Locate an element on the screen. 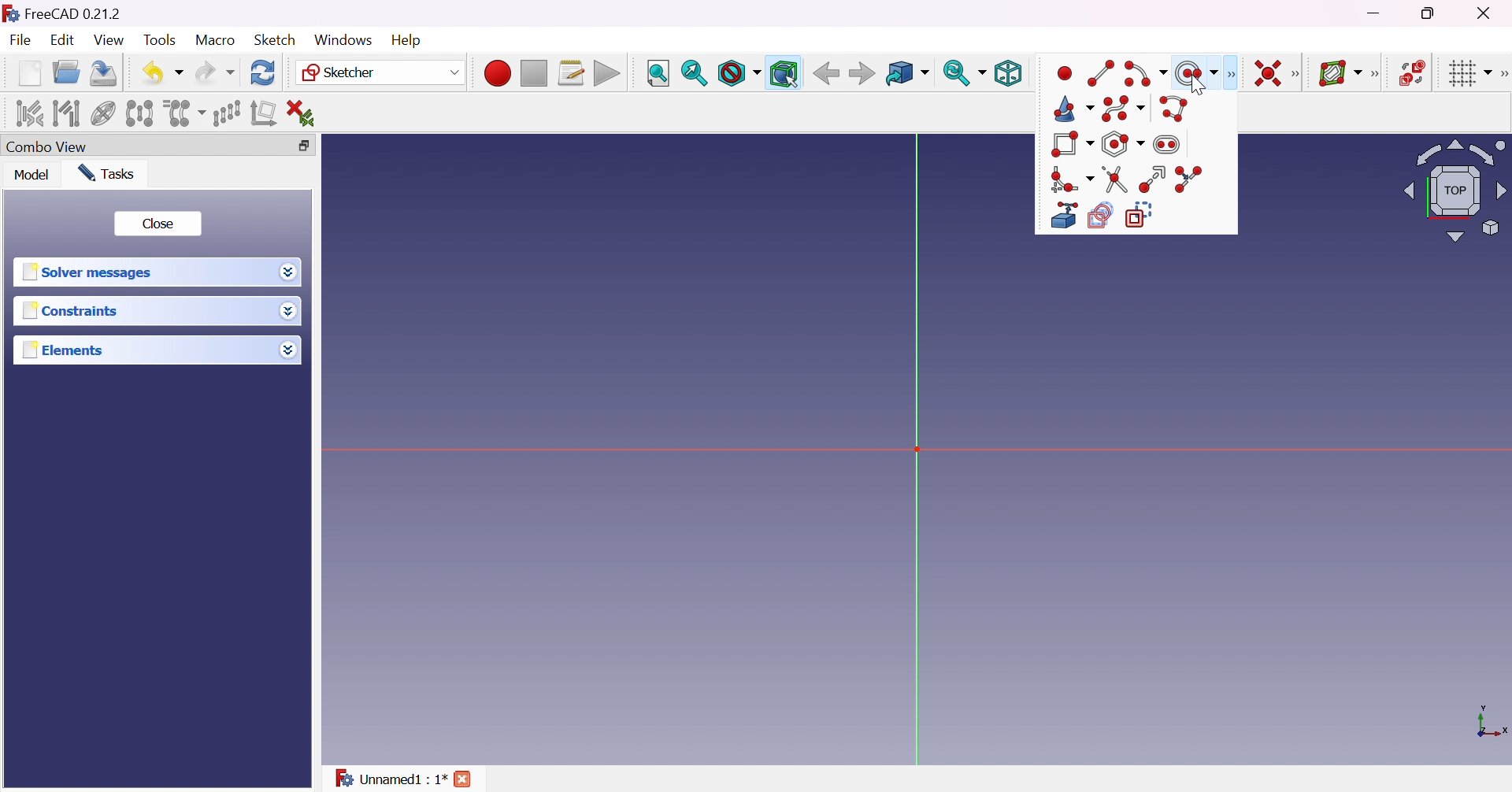 This screenshot has height=792, width=1512. Sketch is located at coordinates (274, 39).